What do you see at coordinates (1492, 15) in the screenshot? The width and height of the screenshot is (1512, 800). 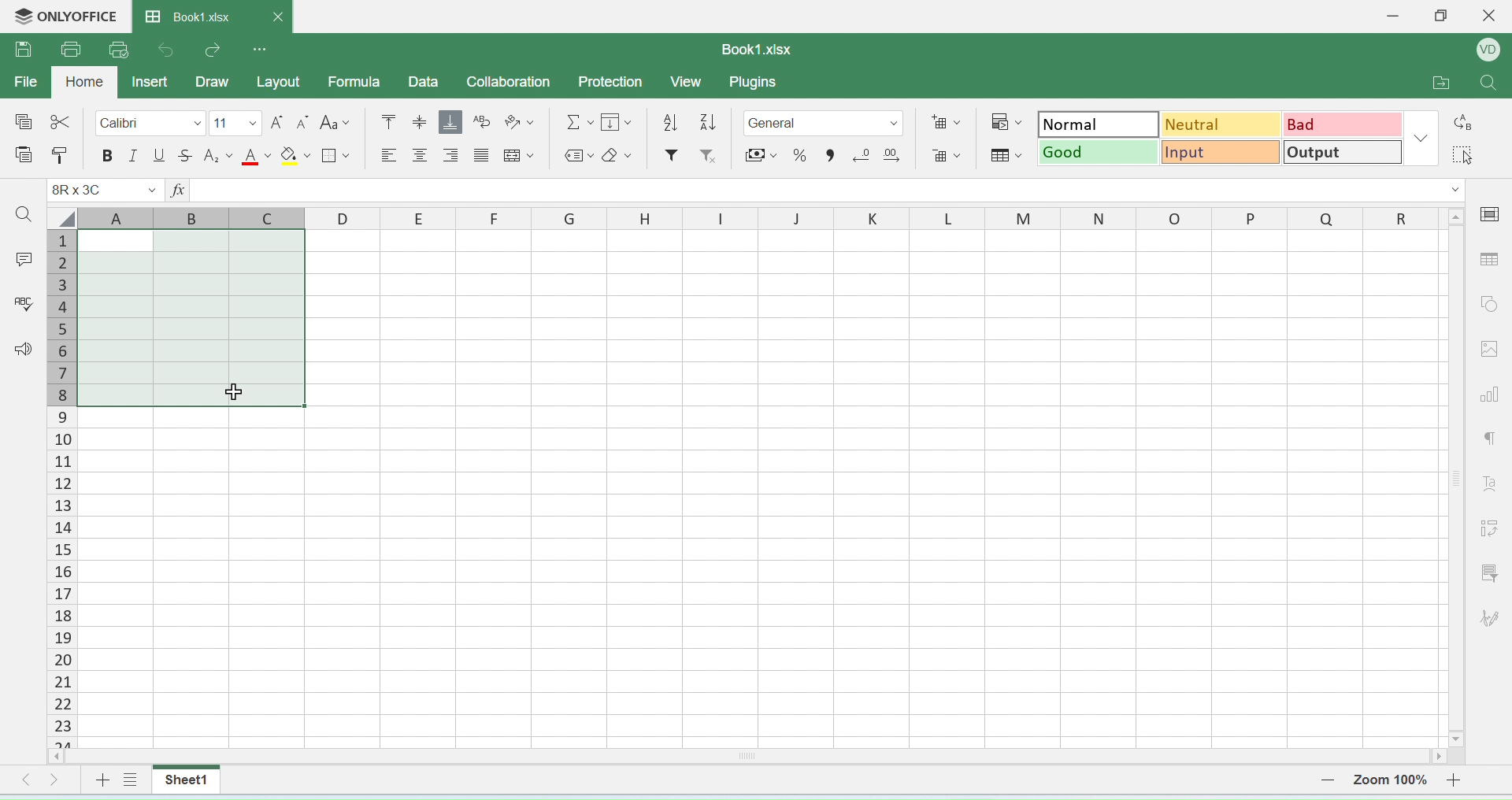 I see `close` at bounding box center [1492, 15].